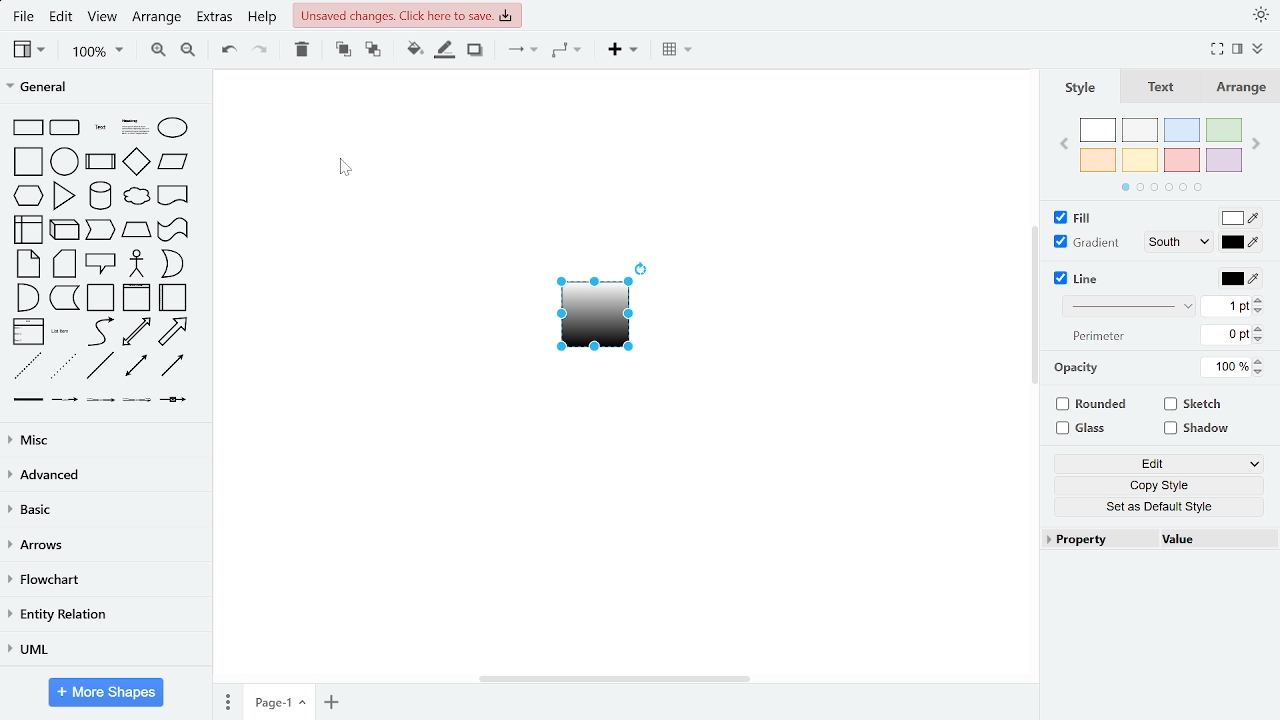 The height and width of the screenshot is (720, 1280). Describe the element at coordinates (1033, 309) in the screenshot. I see `vertical scroll bar` at that location.